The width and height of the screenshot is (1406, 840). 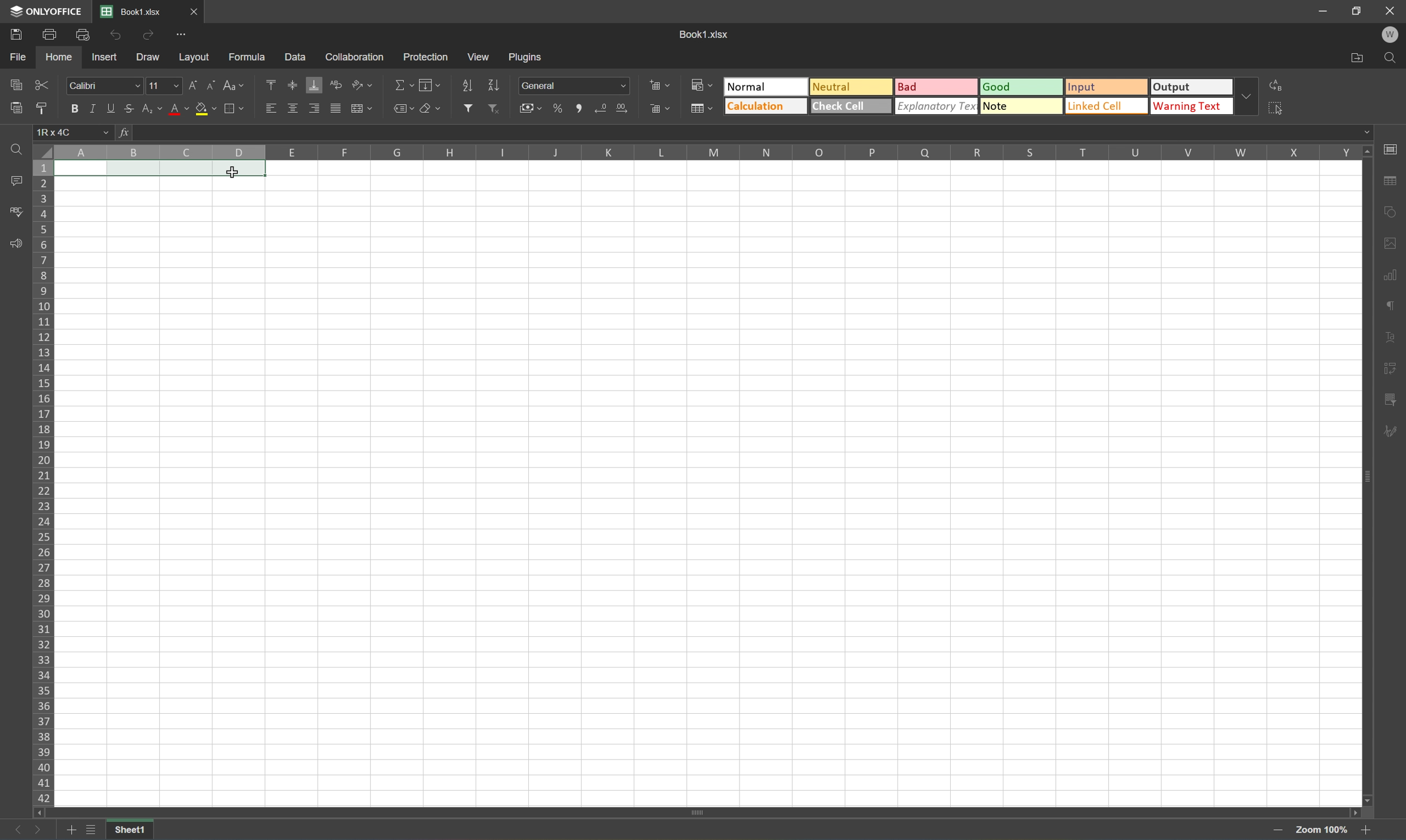 I want to click on Text art settings, so click(x=1390, y=338).